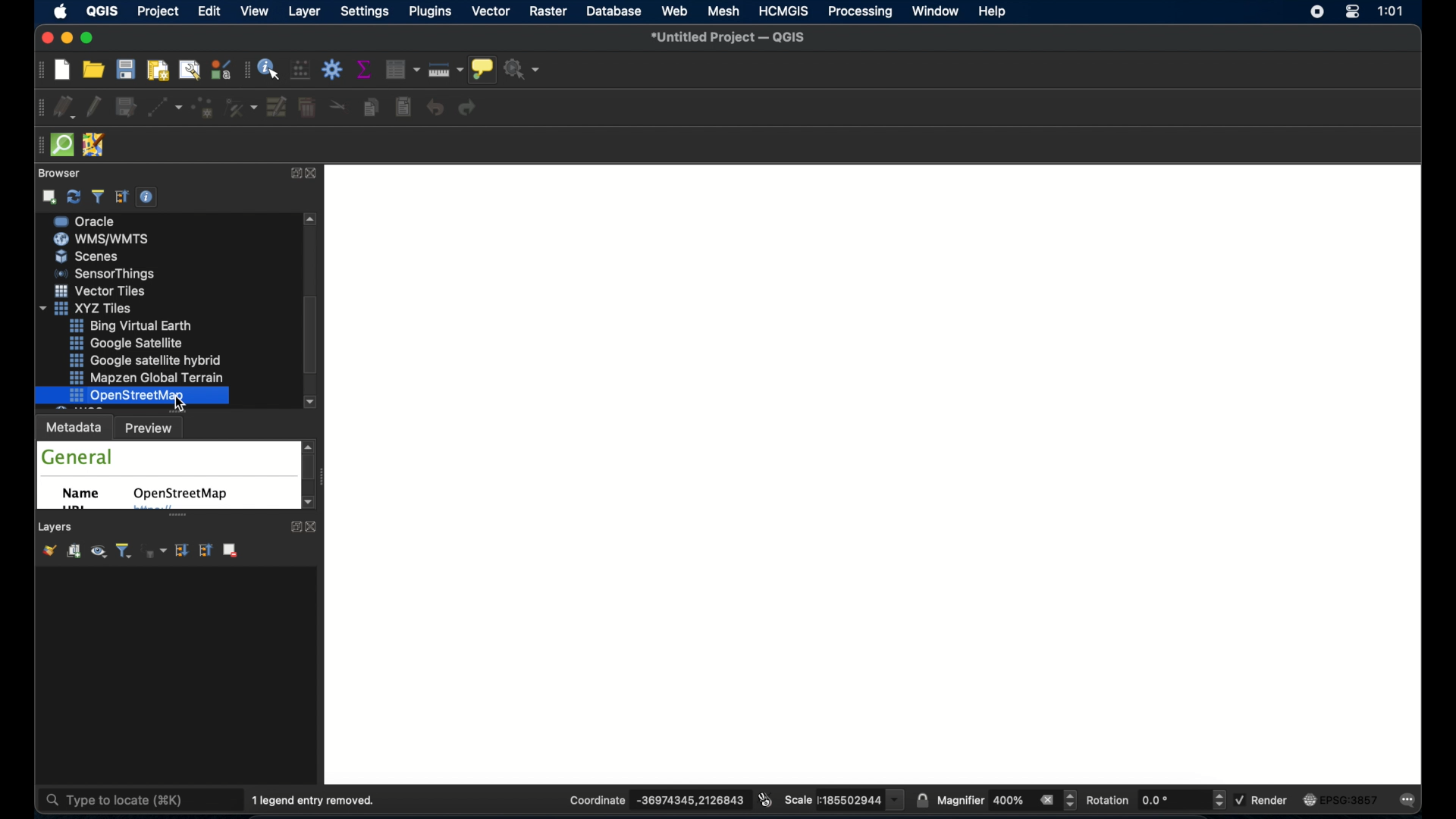 The width and height of the screenshot is (1456, 819). What do you see at coordinates (1264, 801) in the screenshot?
I see `render` at bounding box center [1264, 801].